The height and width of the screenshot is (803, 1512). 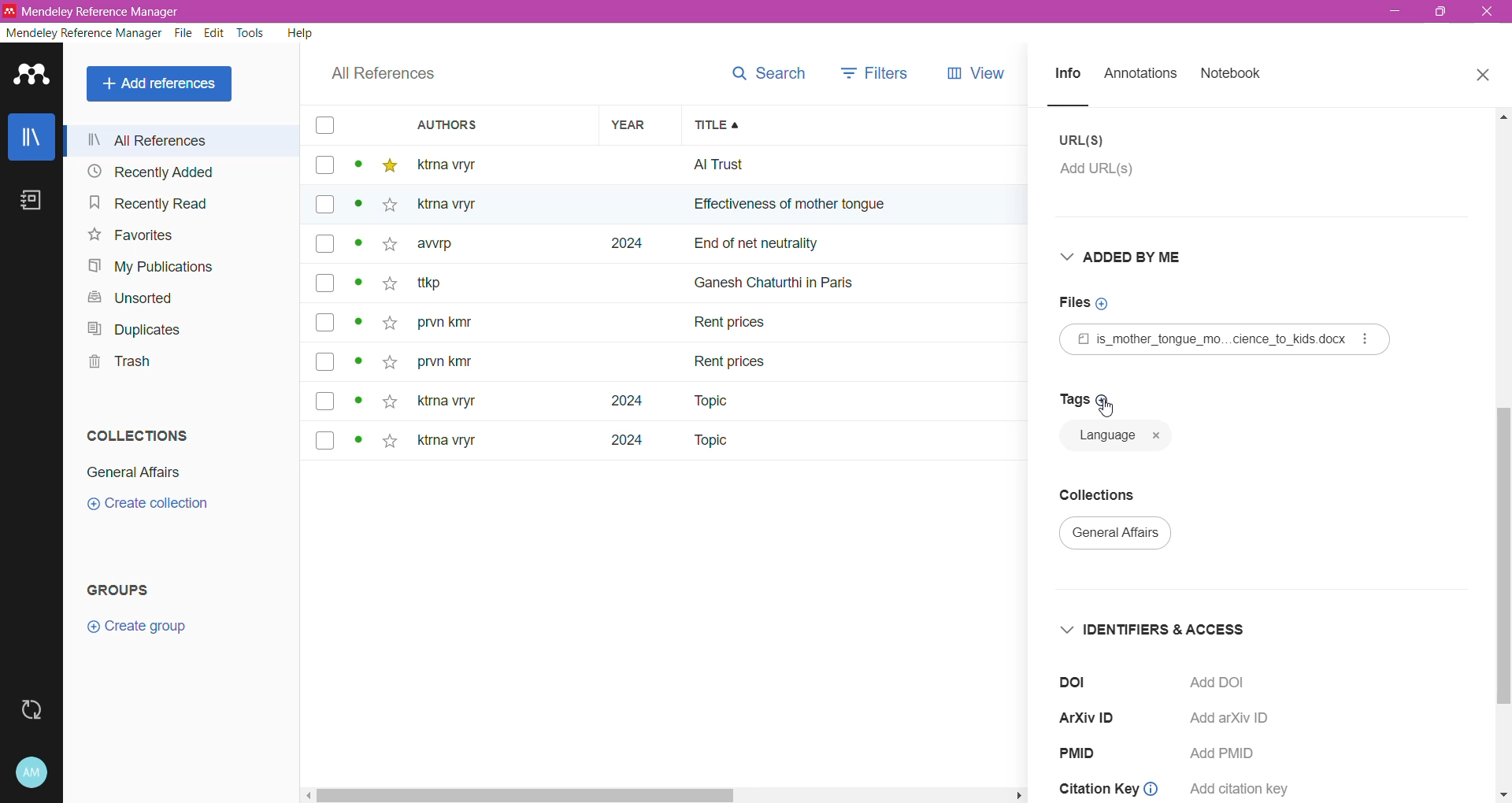 What do you see at coordinates (458, 205) in the screenshot?
I see `` at bounding box center [458, 205].